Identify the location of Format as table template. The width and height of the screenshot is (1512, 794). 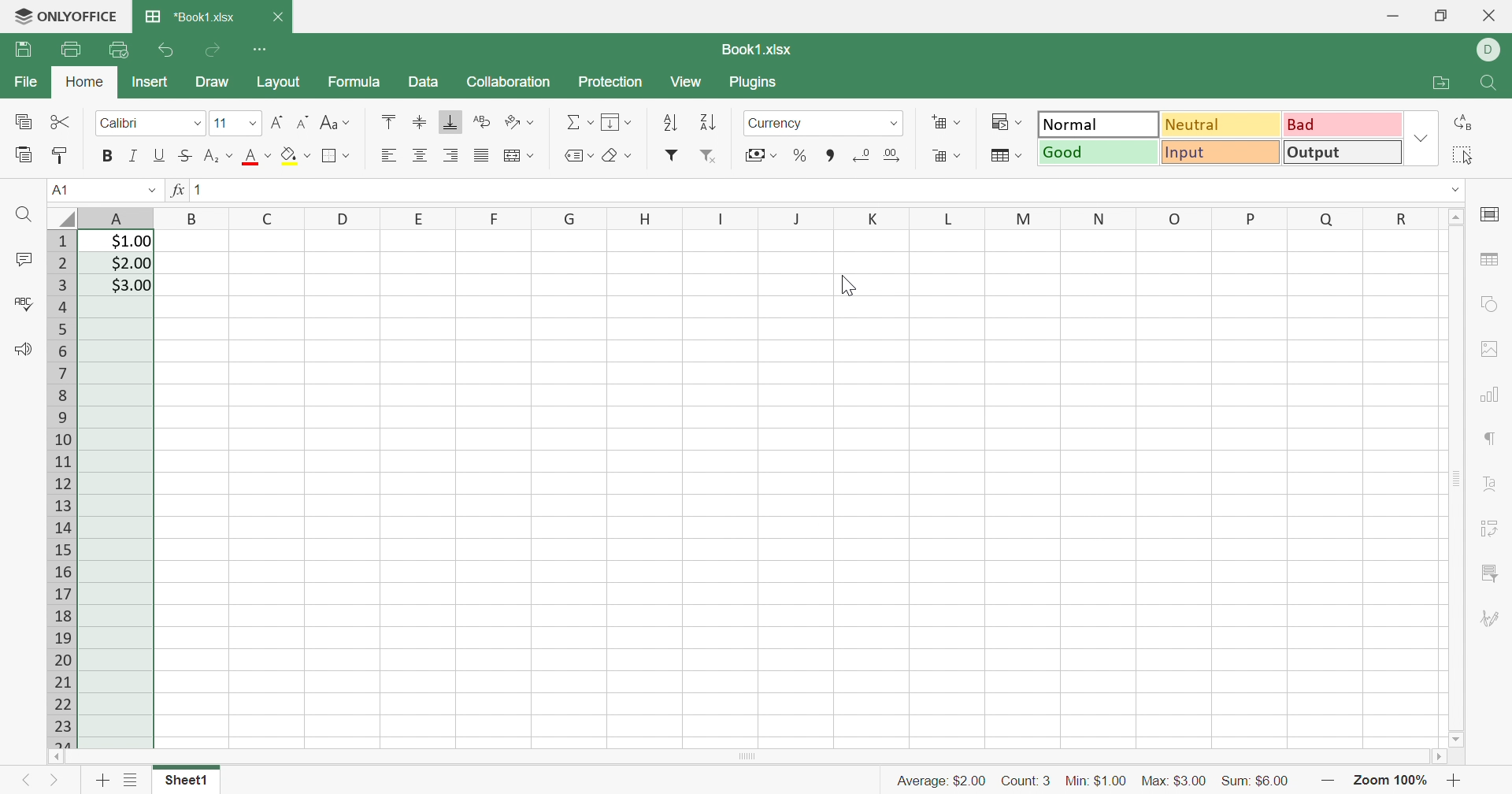
(1006, 154).